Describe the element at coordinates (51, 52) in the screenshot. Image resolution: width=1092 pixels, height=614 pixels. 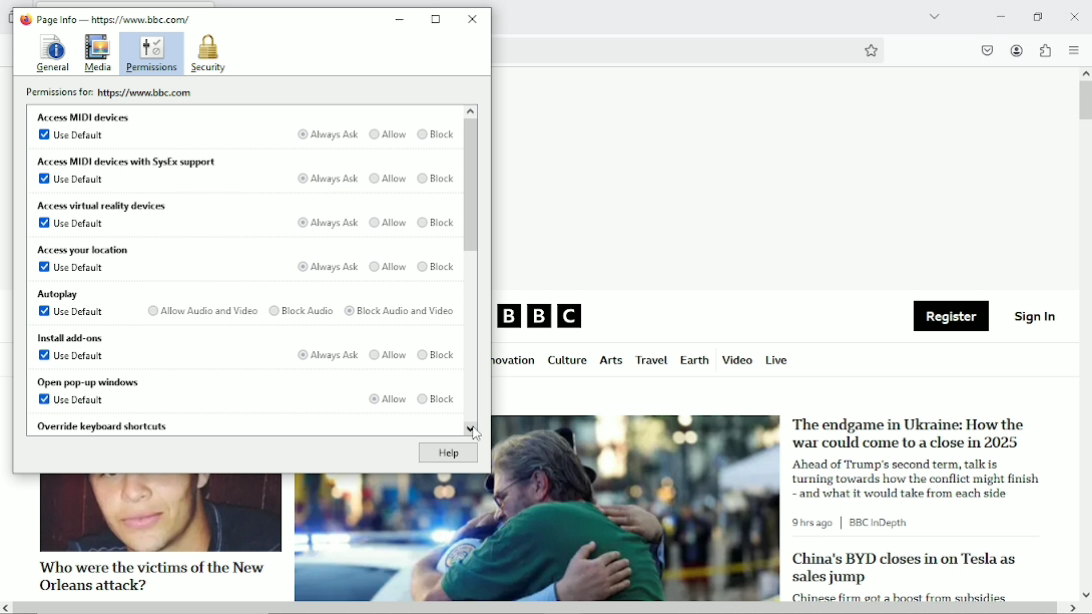
I see `General` at that location.